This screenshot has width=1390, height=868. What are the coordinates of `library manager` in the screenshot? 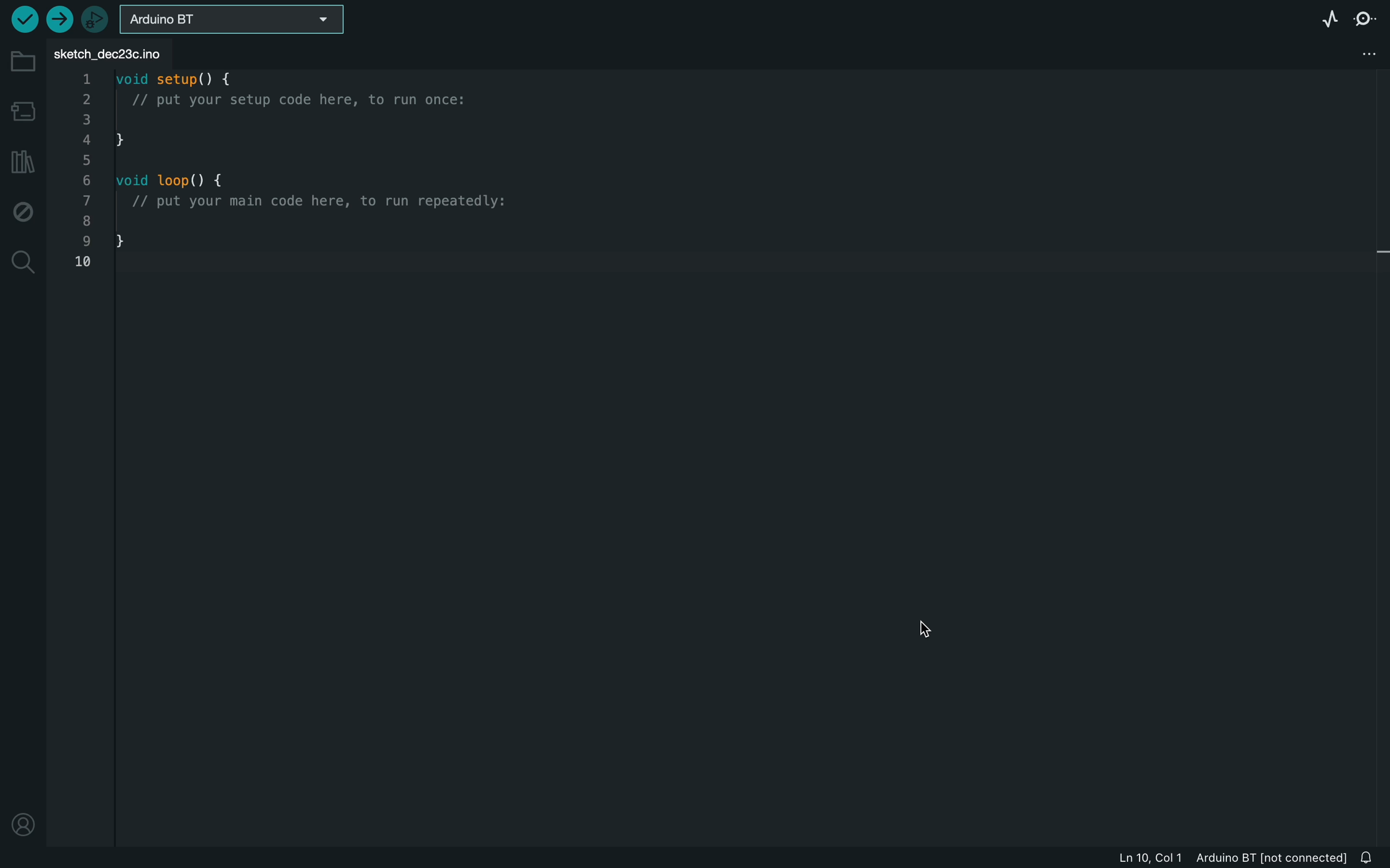 It's located at (22, 163).